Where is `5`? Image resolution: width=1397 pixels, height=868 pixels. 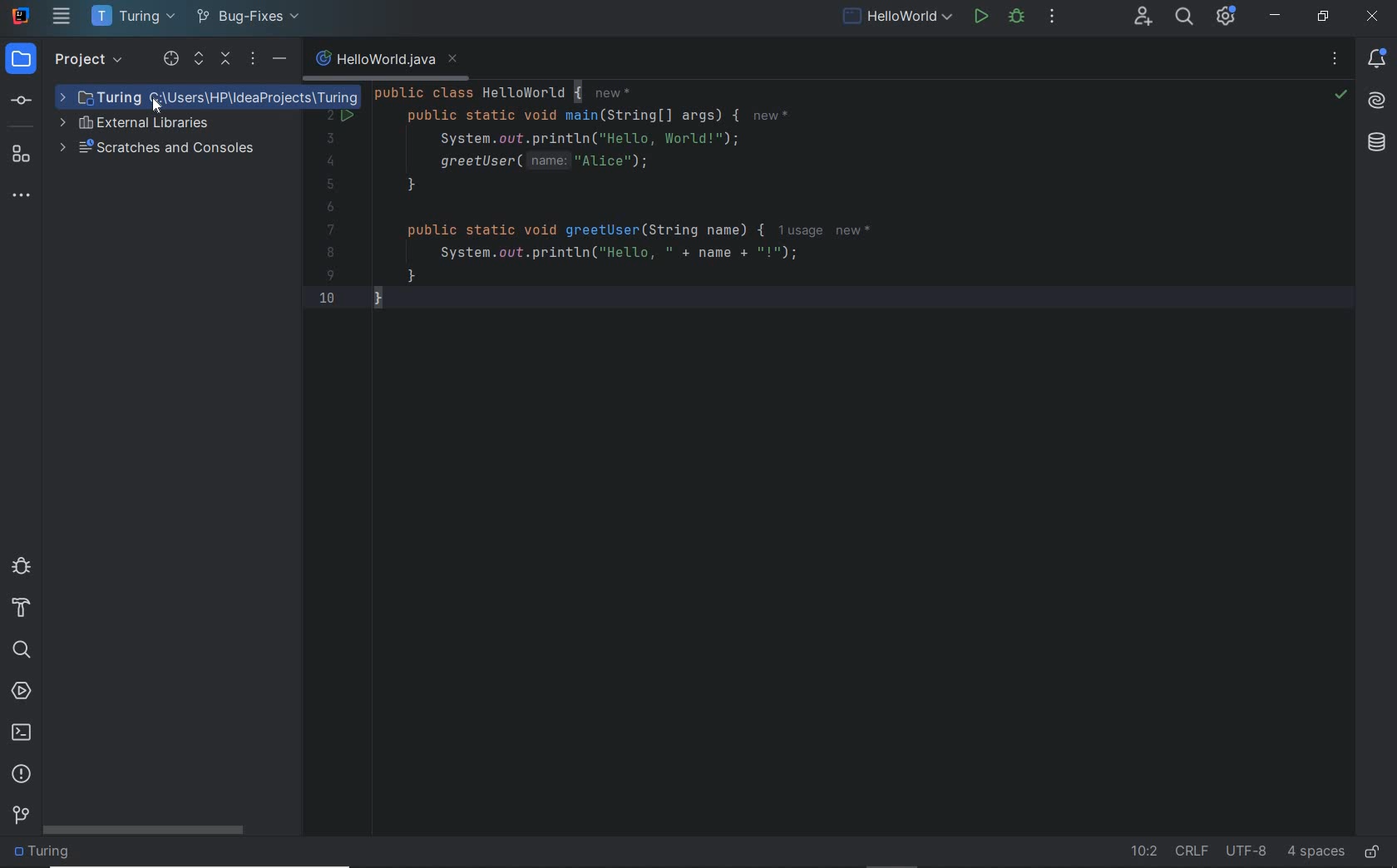 5 is located at coordinates (330, 184).